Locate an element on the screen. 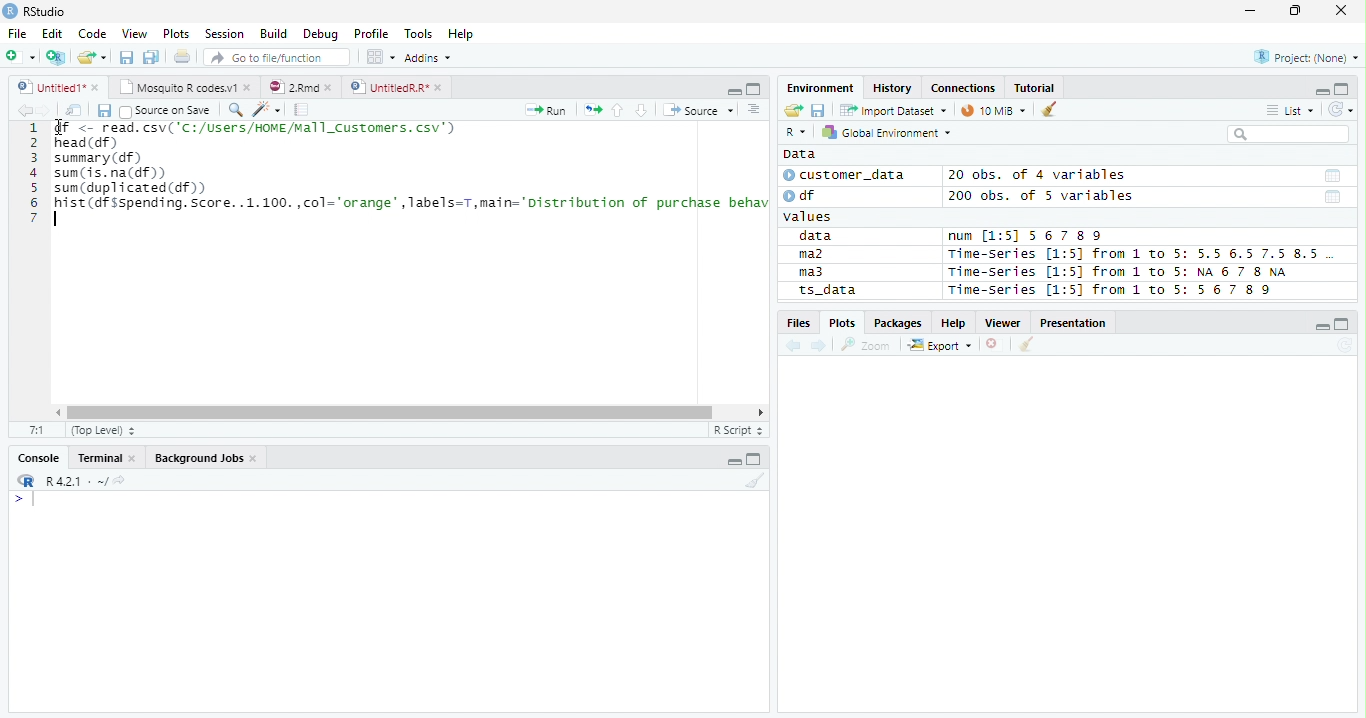  Files is located at coordinates (798, 323).